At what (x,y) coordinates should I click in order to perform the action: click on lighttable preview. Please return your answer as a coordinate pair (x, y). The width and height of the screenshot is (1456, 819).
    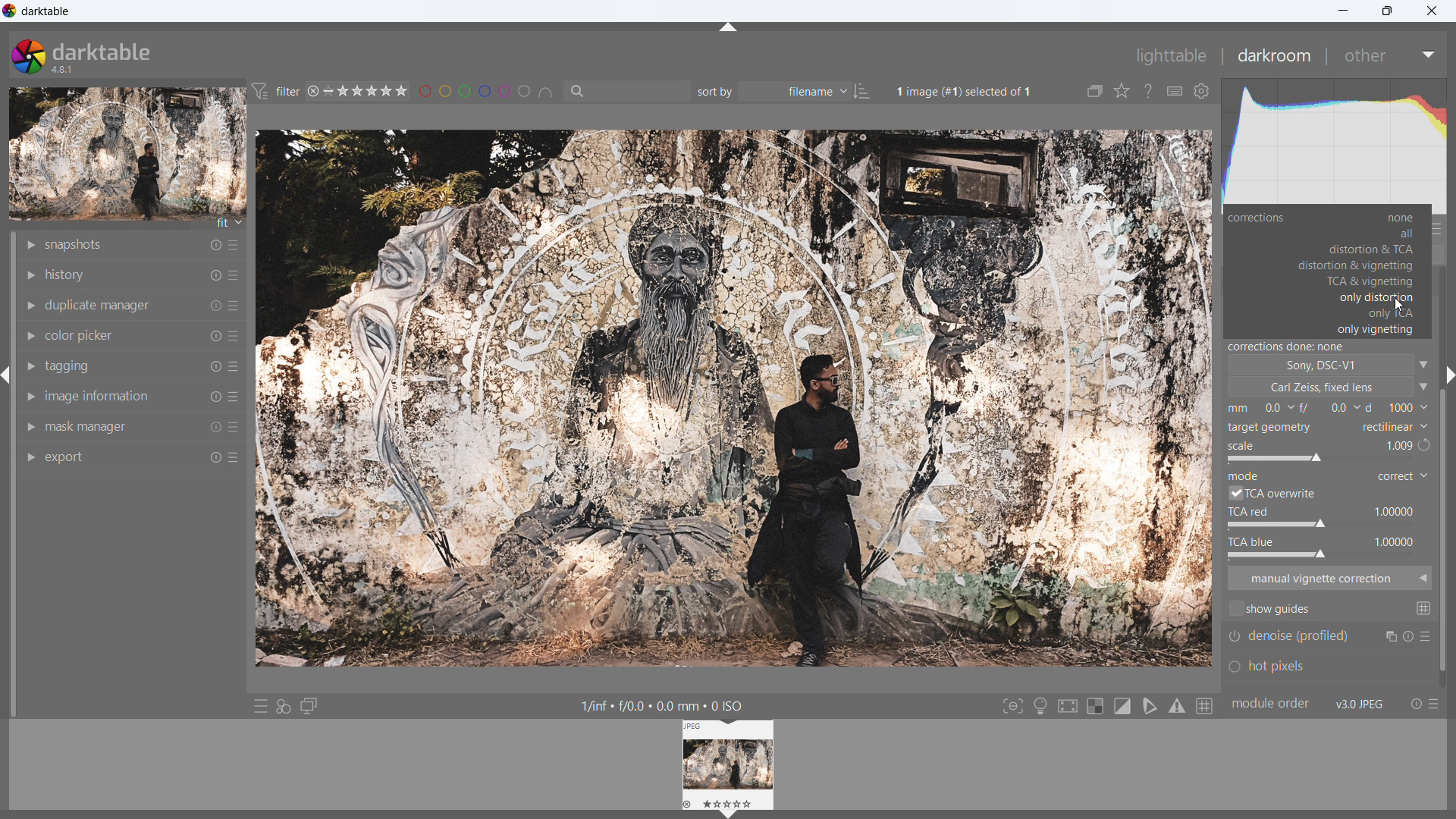
    Looking at the image, I should click on (727, 765).